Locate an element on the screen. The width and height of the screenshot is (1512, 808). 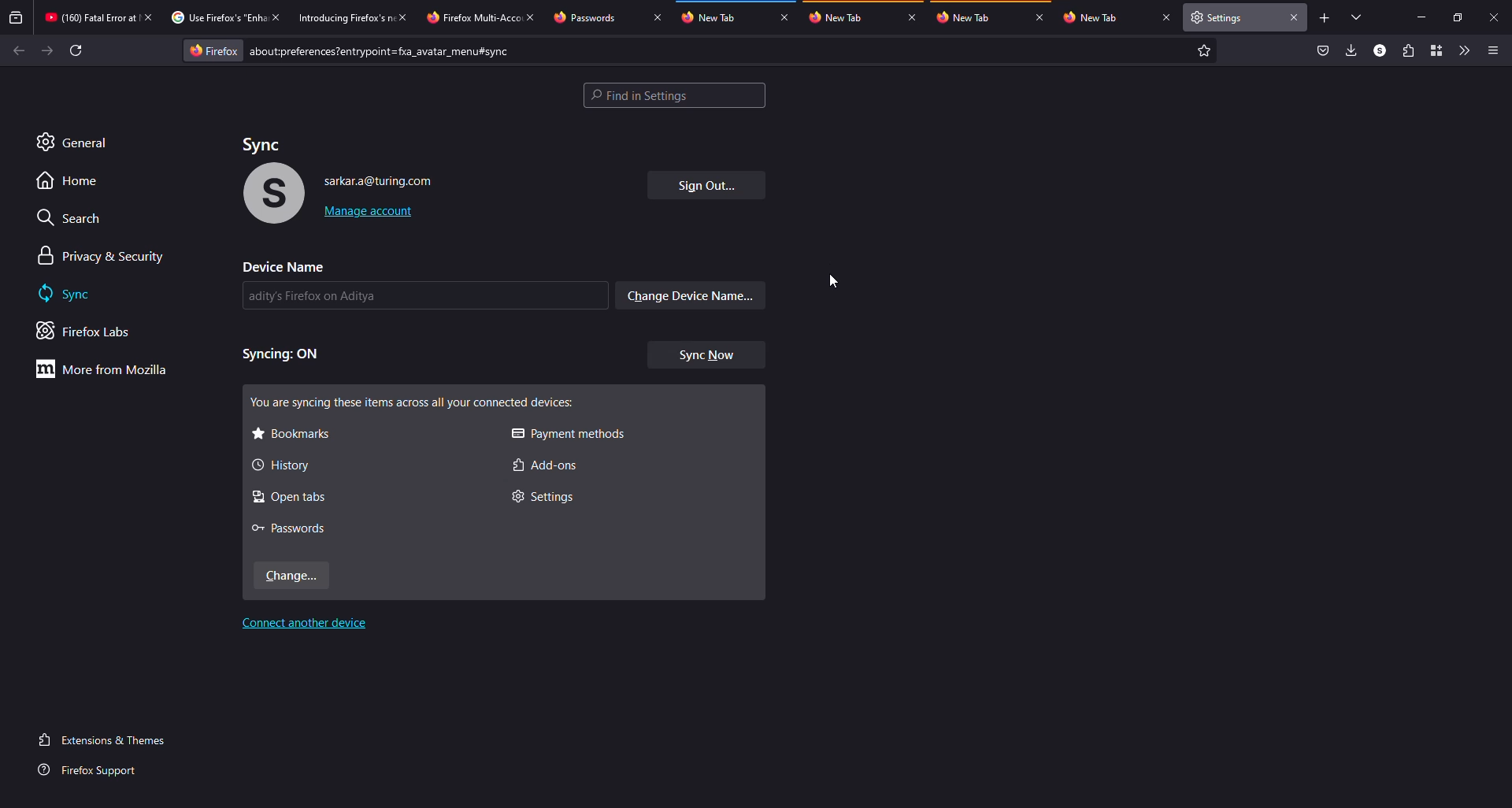
close is located at coordinates (915, 17).